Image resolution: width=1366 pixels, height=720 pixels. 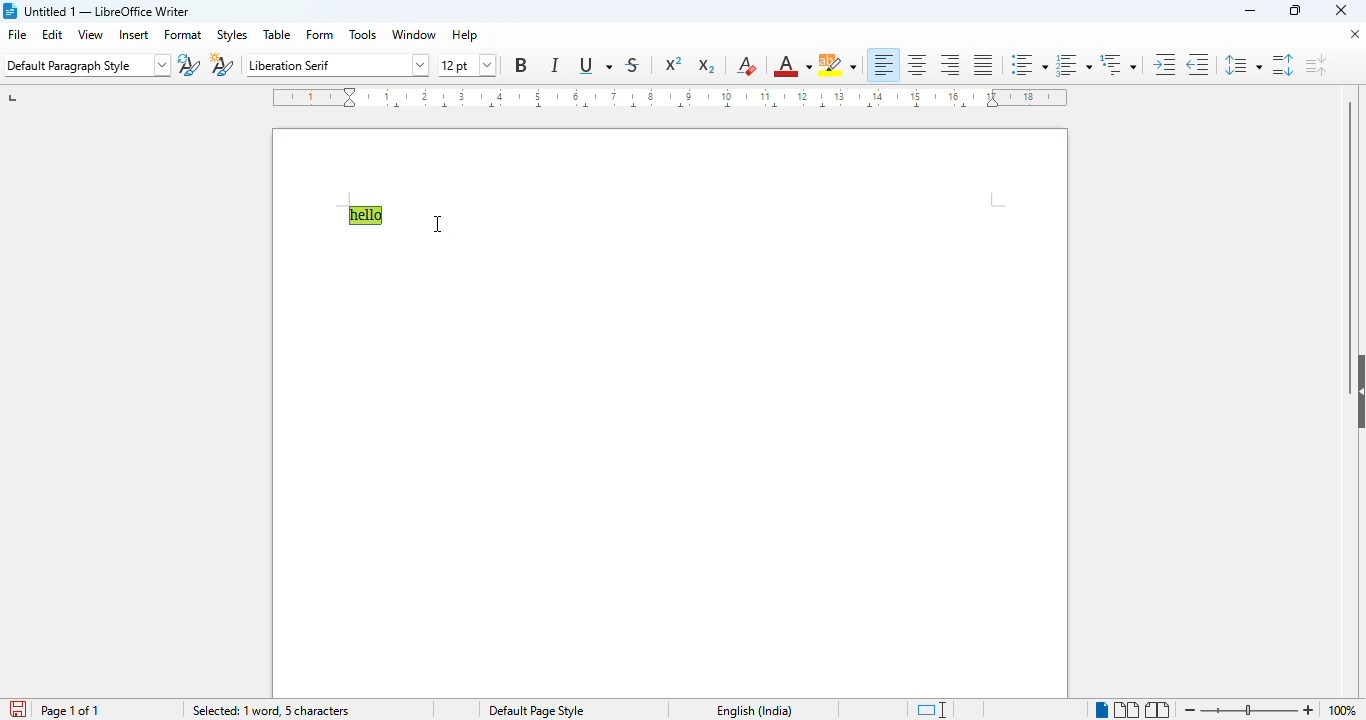 I want to click on 12 ptd, so click(x=454, y=63).